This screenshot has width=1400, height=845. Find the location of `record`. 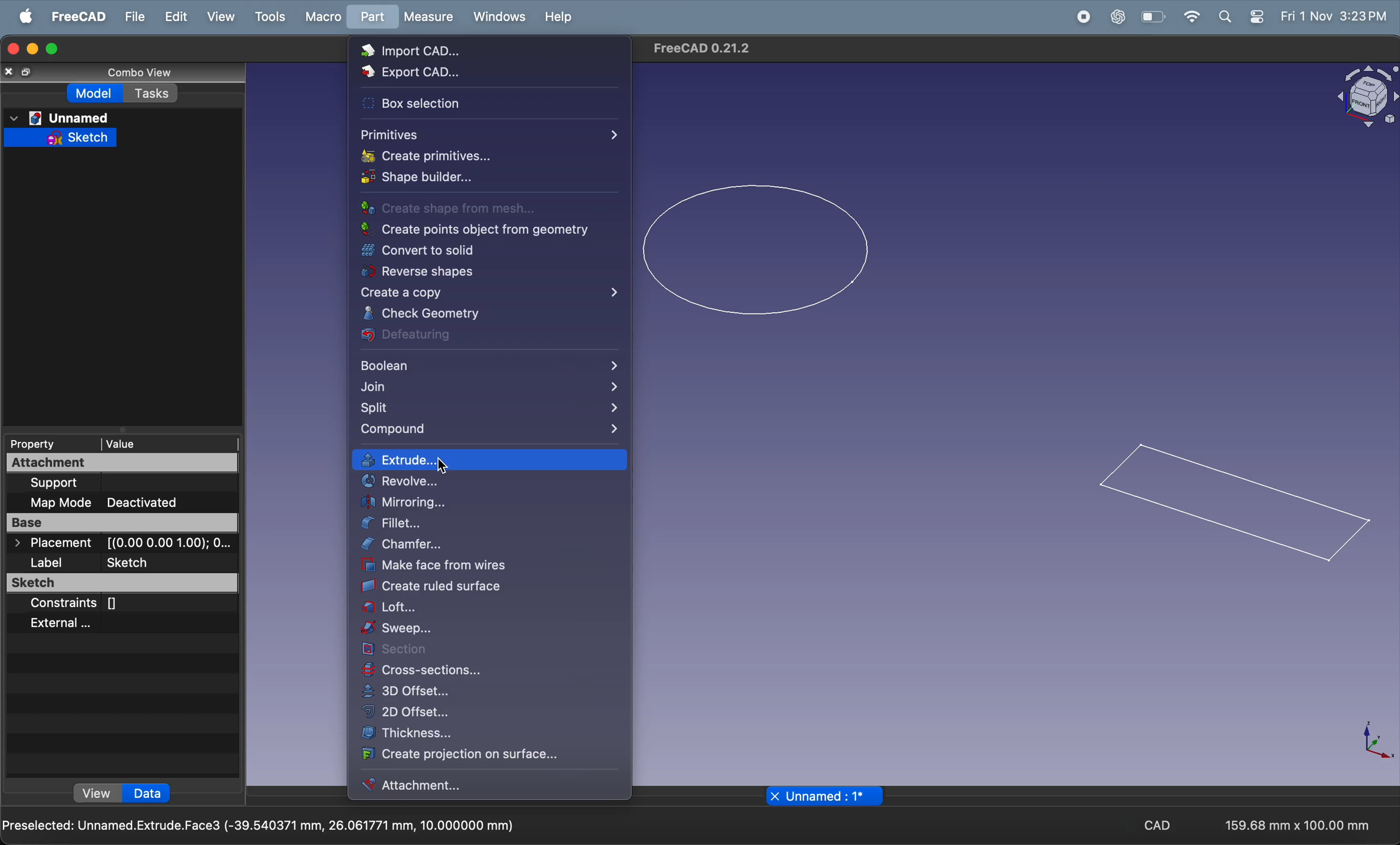

record is located at coordinates (1081, 16).